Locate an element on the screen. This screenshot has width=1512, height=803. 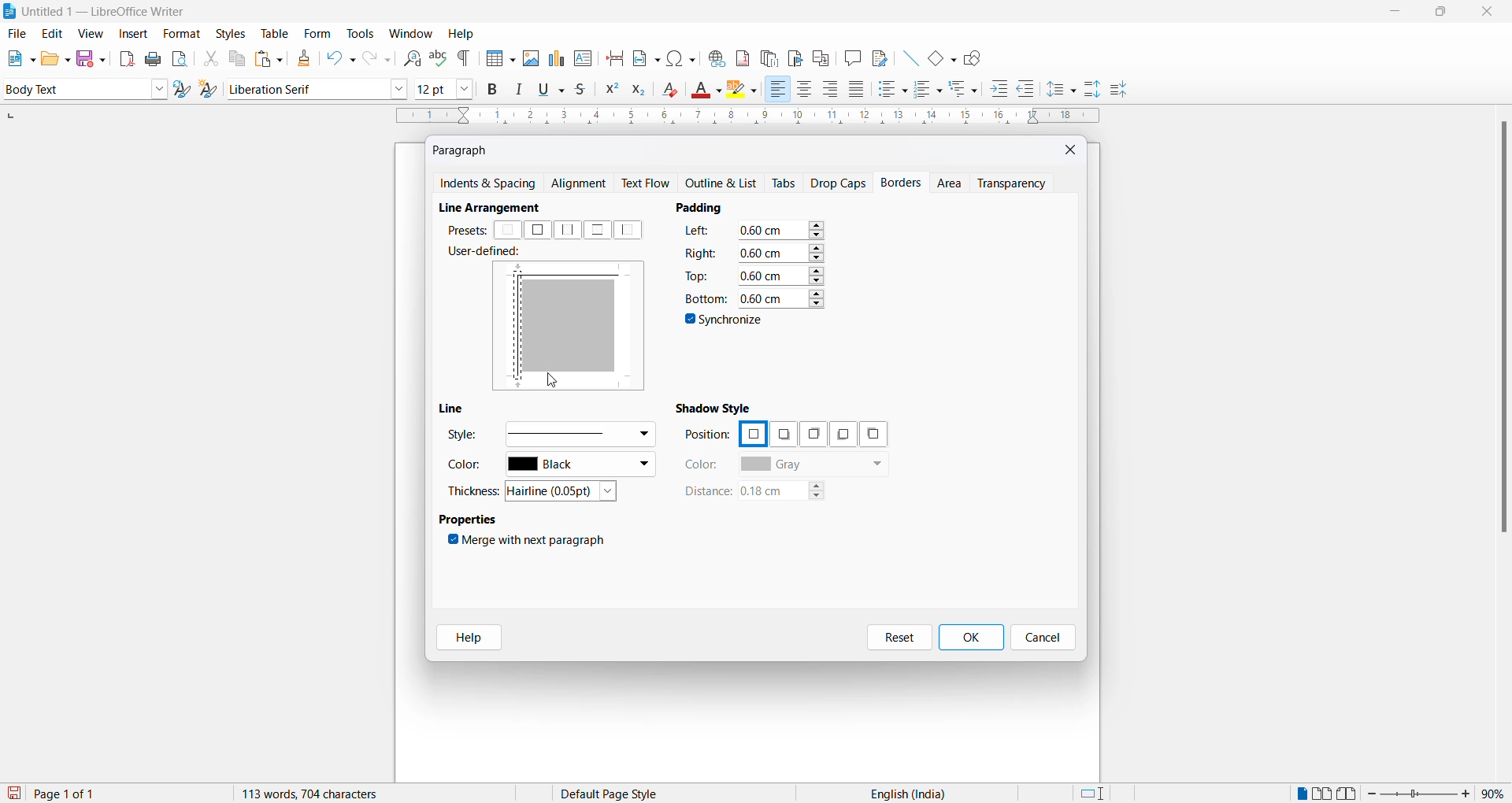
increase indent is located at coordinates (1004, 90).